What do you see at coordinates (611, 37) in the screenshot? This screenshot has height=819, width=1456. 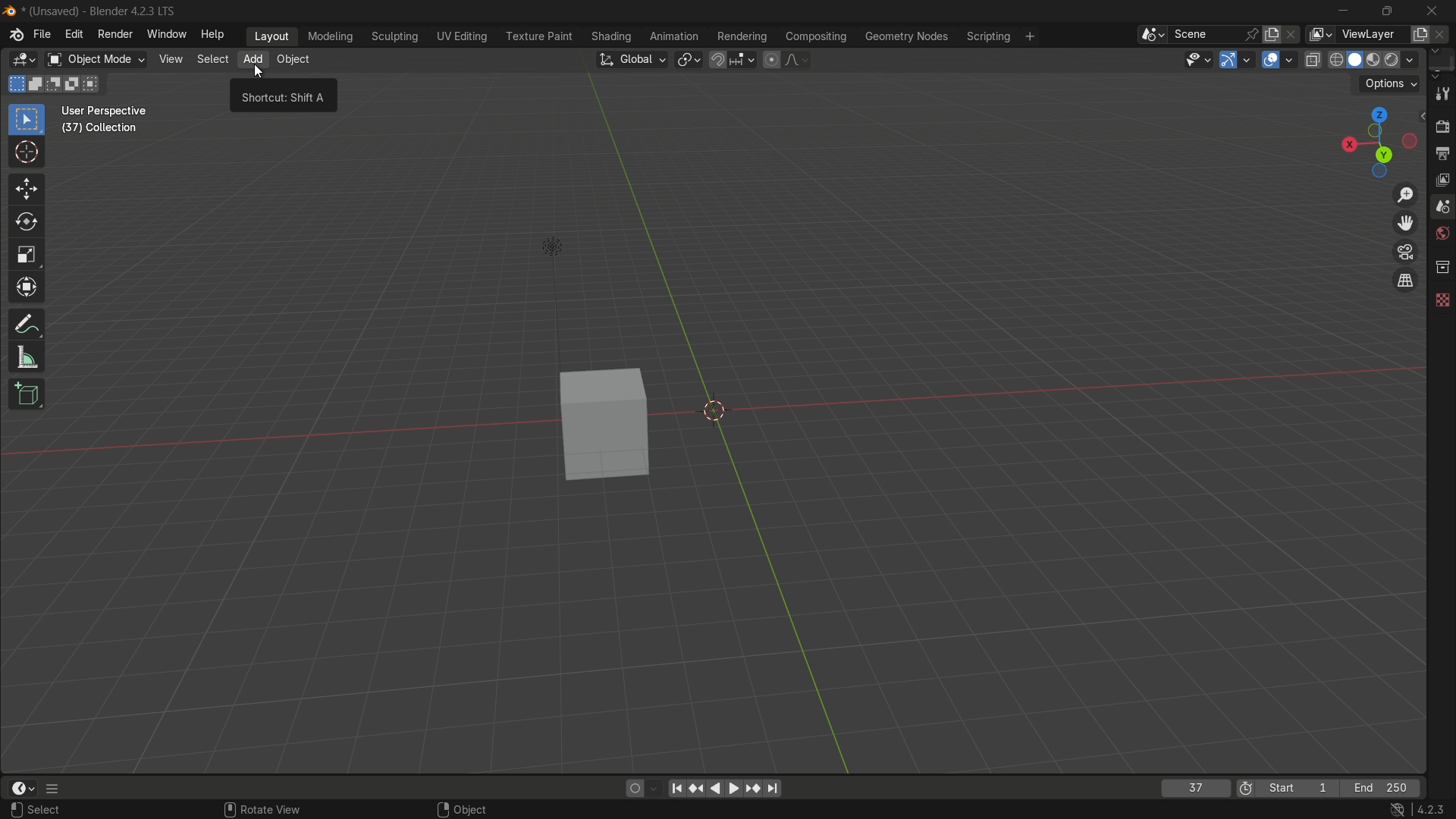 I see `shading menu` at bounding box center [611, 37].